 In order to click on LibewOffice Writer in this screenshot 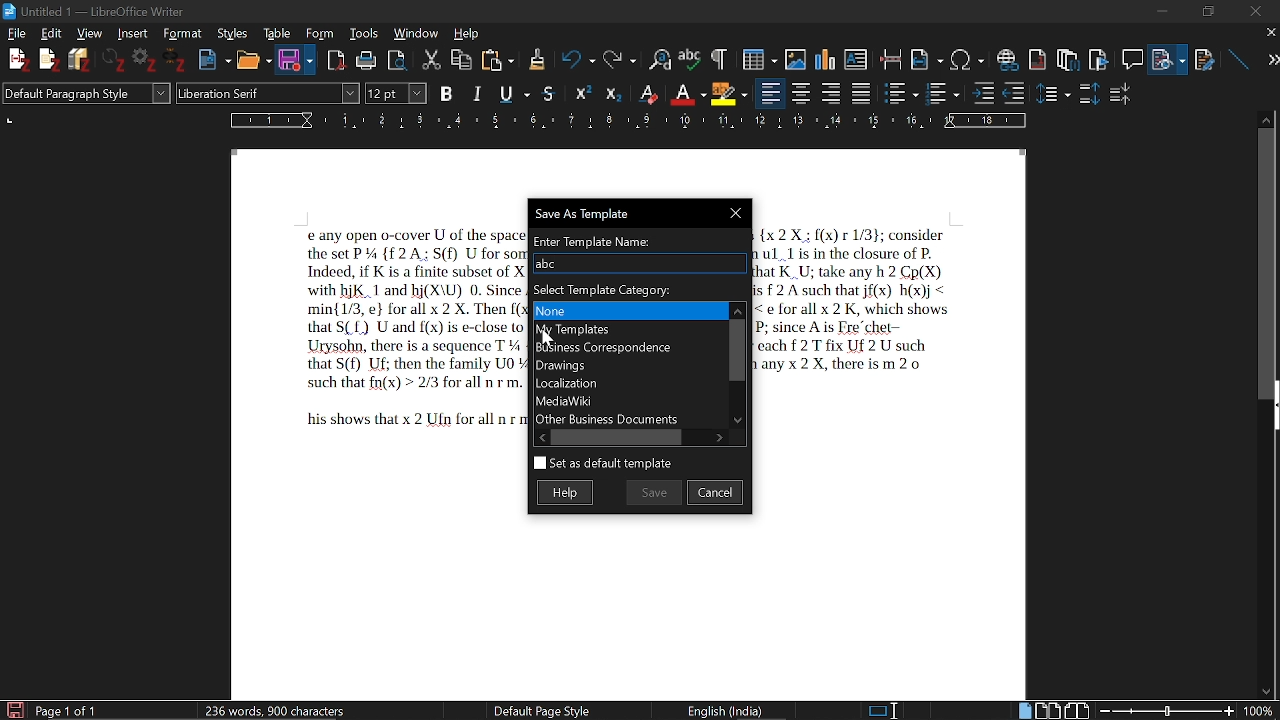, I will do `click(9, 10)`.